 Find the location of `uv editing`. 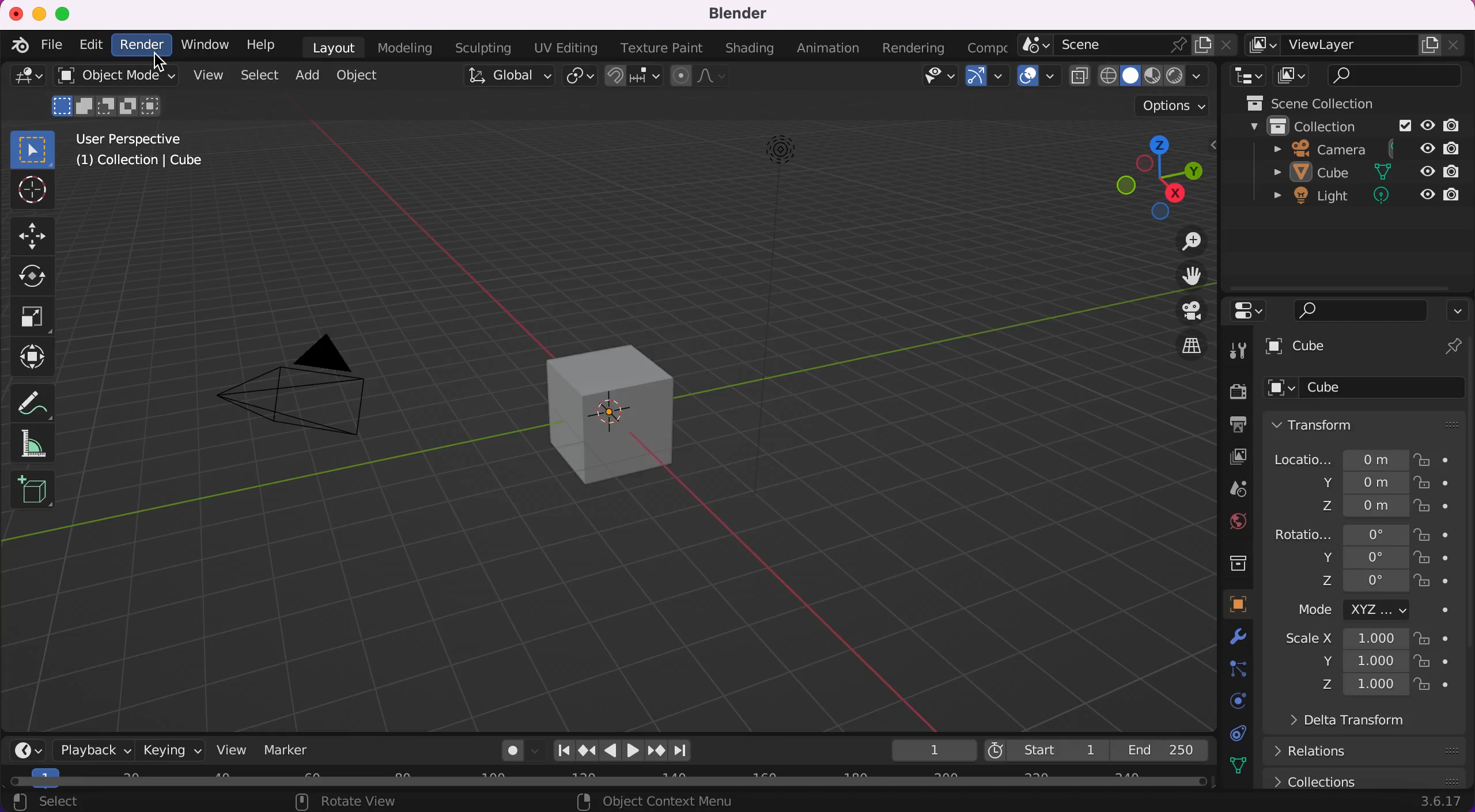

uv editing is located at coordinates (566, 49).